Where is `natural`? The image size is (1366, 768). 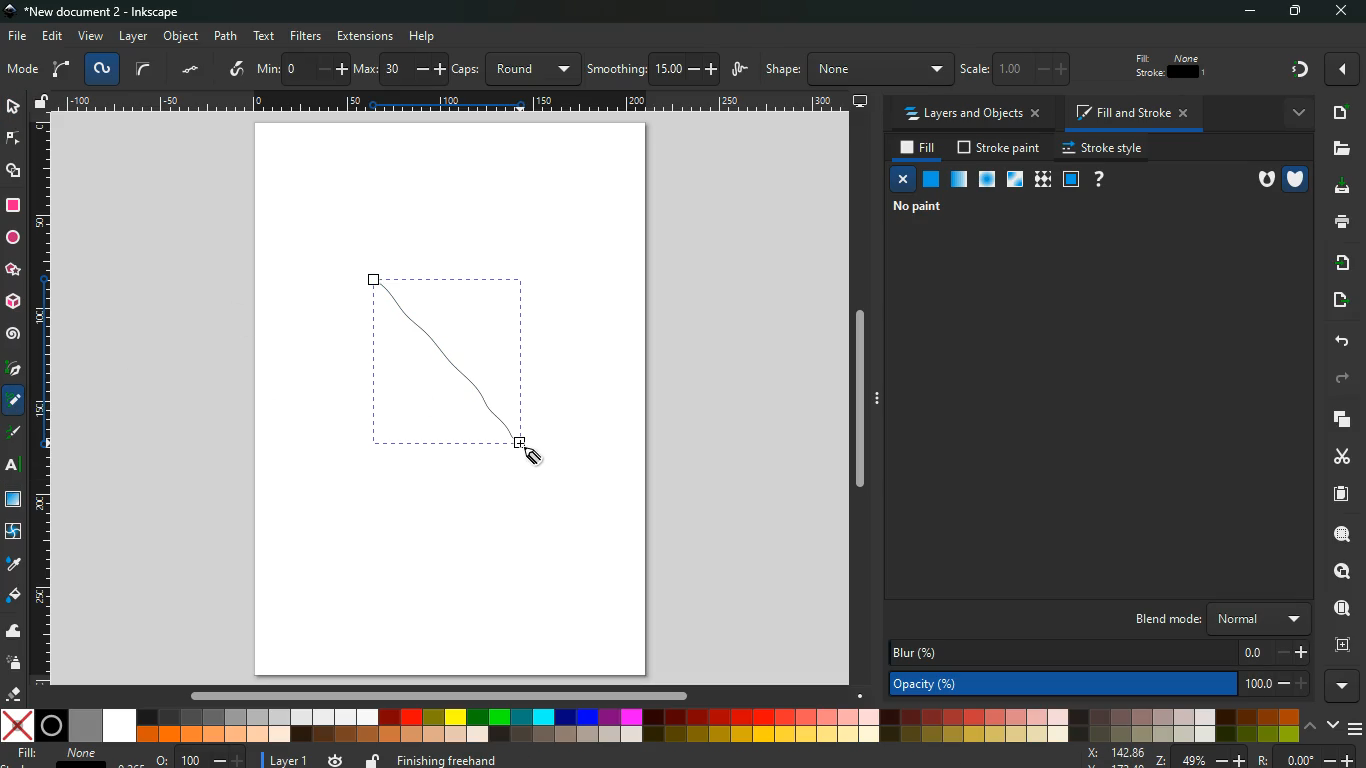 natural is located at coordinates (931, 178).